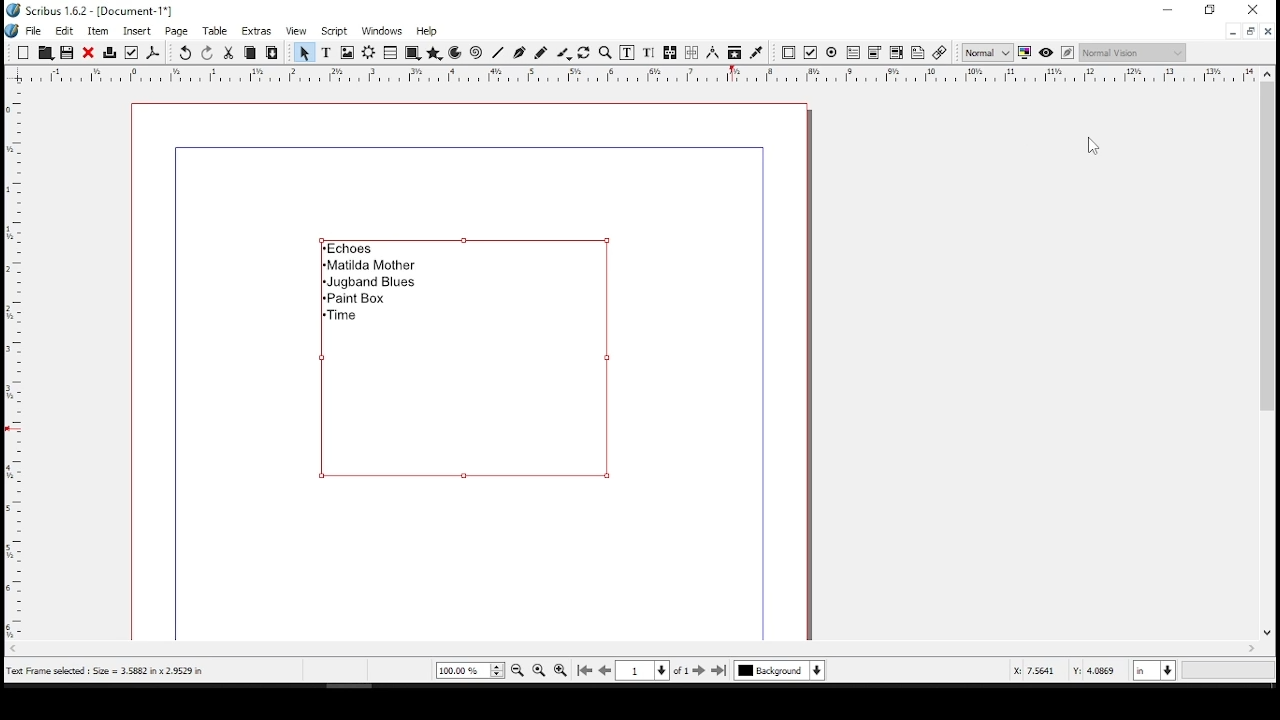  Describe the element at coordinates (650, 73) in the screenshot. I see `horizontal scale` at that location.